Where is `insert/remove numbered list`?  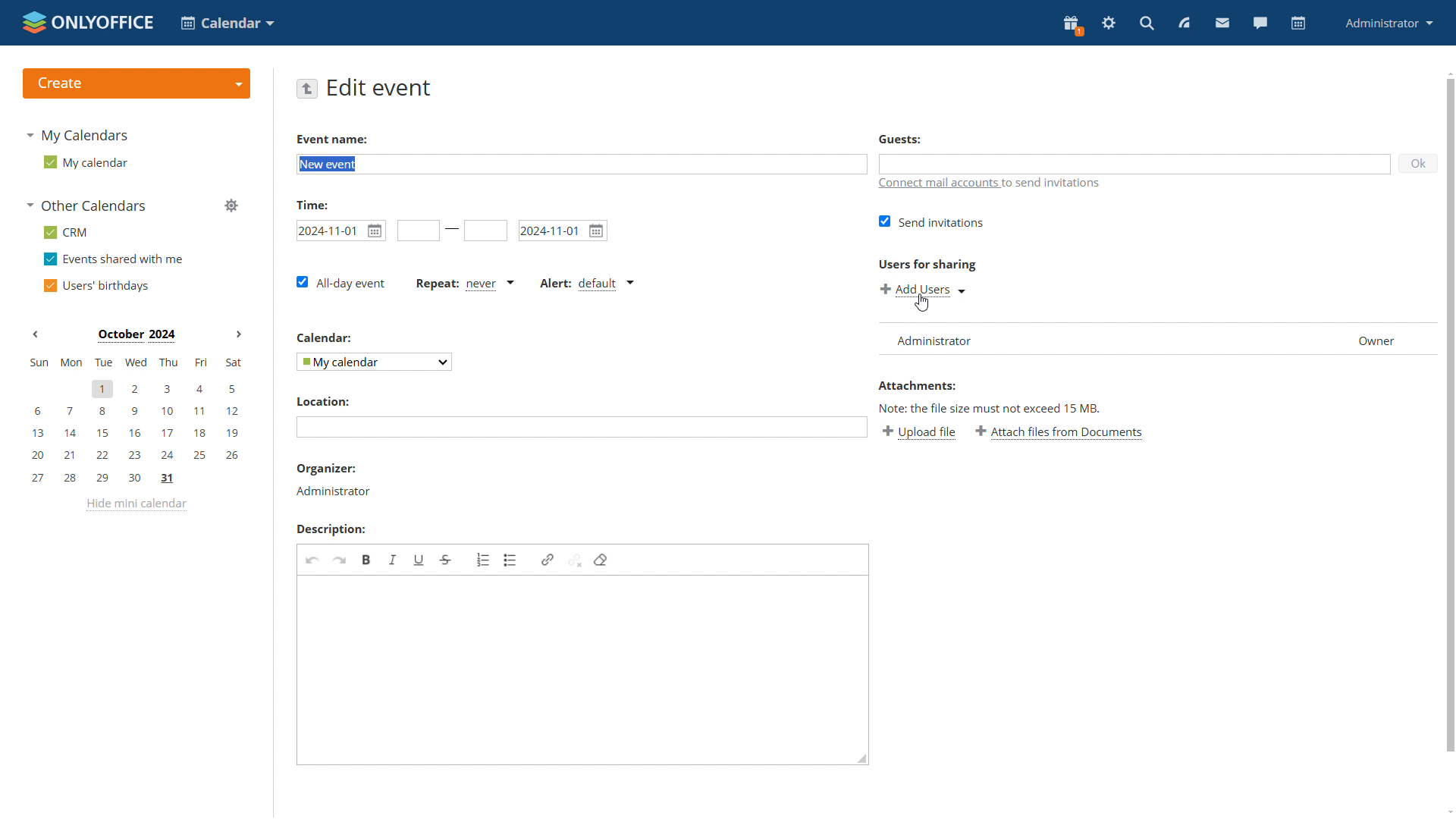
insert/remove numbered list is located at coordinates (484, 560).